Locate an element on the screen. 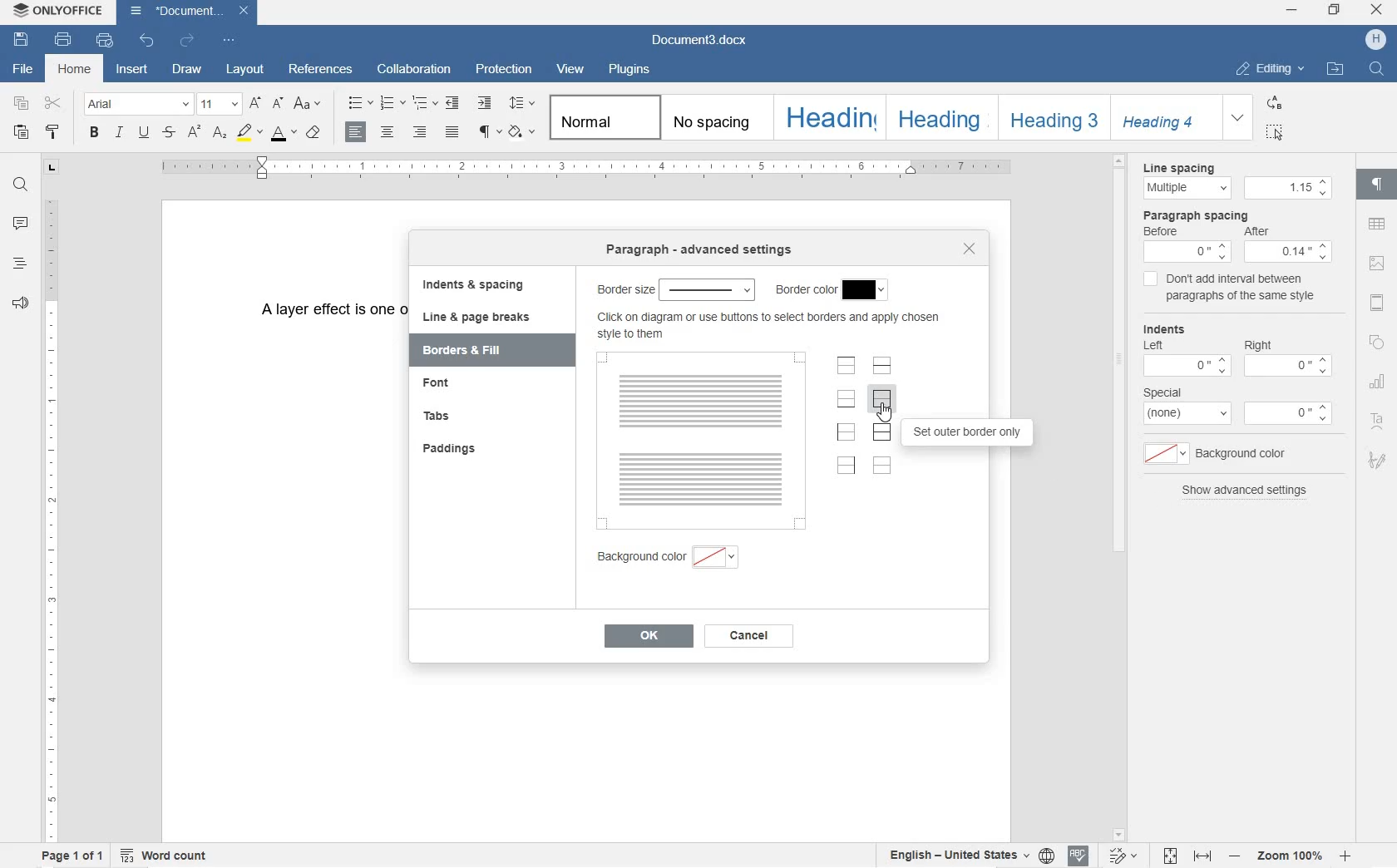  1.15" is located at coordinates (1289, 189).